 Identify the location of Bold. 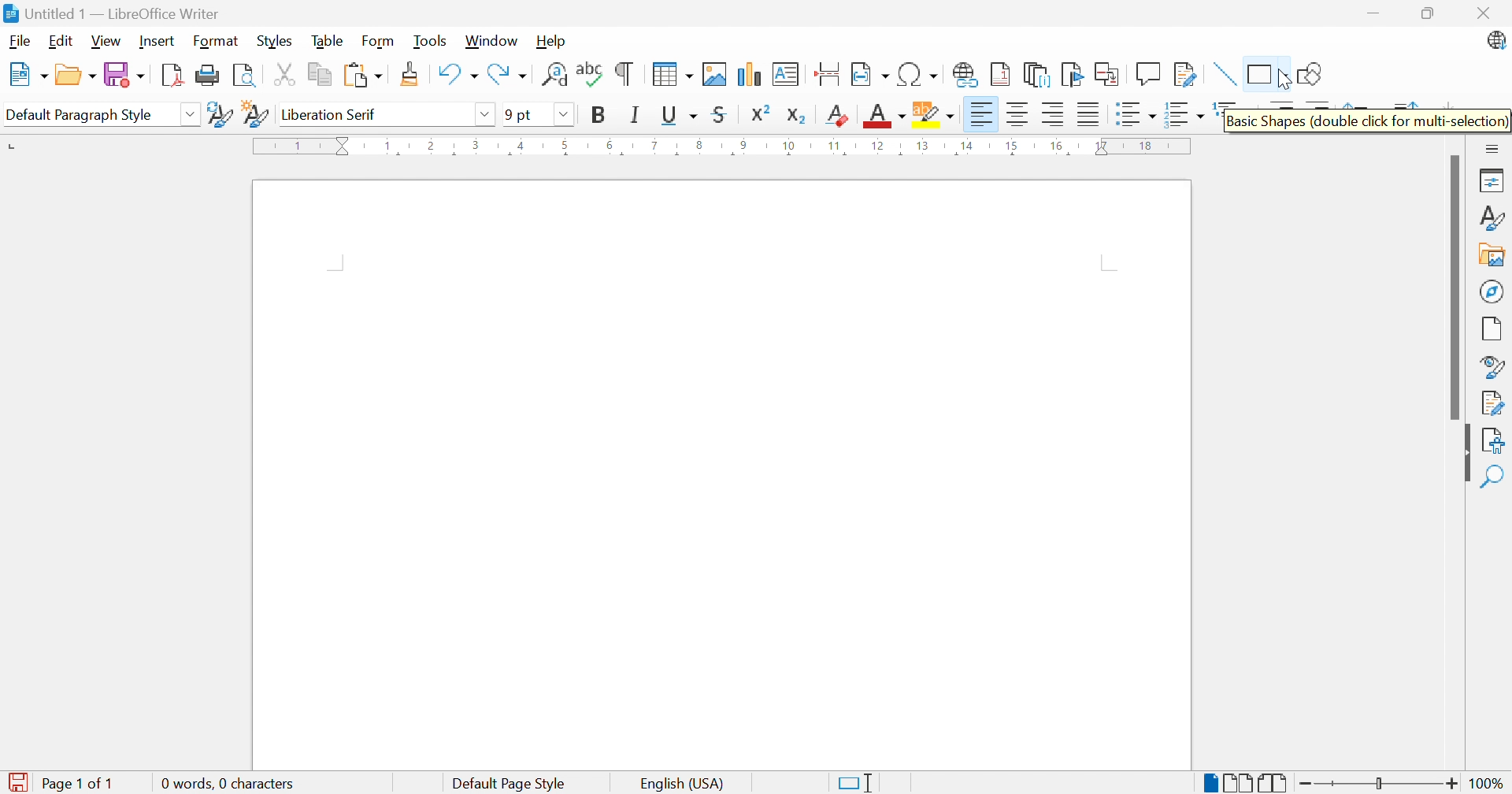
(600, 113).